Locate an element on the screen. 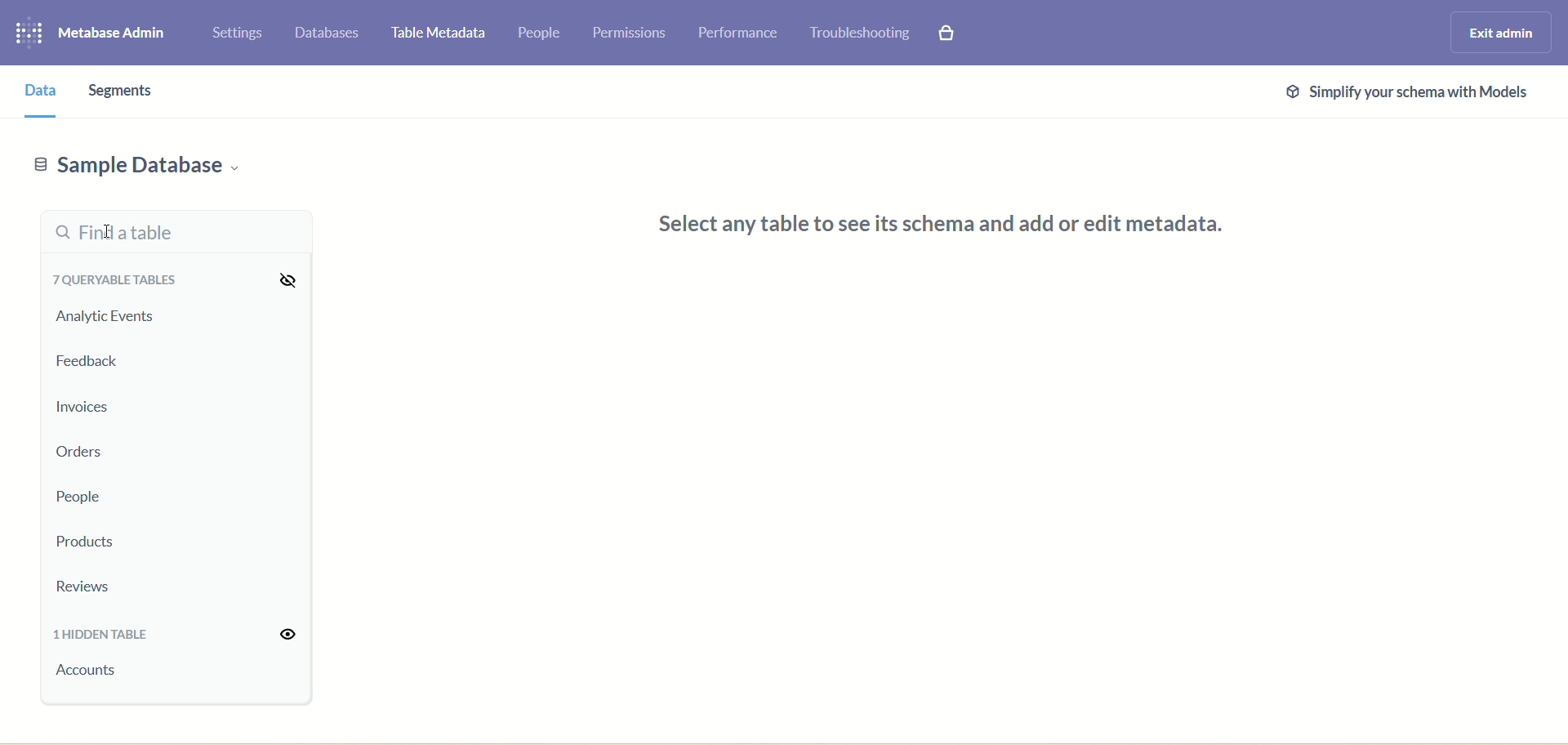 This screenshot has height=745, width=1568. orders is located at coordinates (79, 452).